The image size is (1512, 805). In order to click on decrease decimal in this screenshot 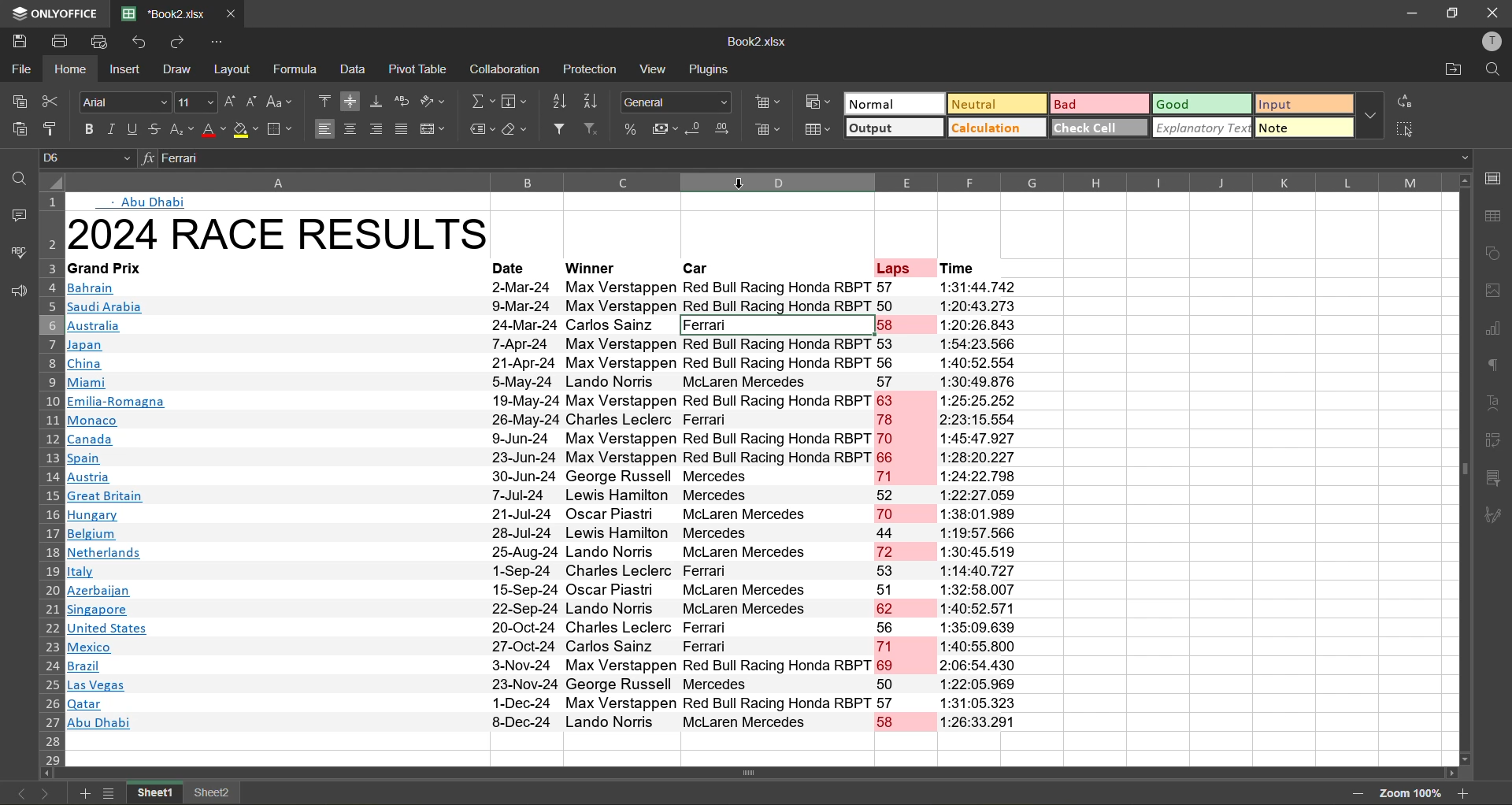, I will do `click(693, 129)`.